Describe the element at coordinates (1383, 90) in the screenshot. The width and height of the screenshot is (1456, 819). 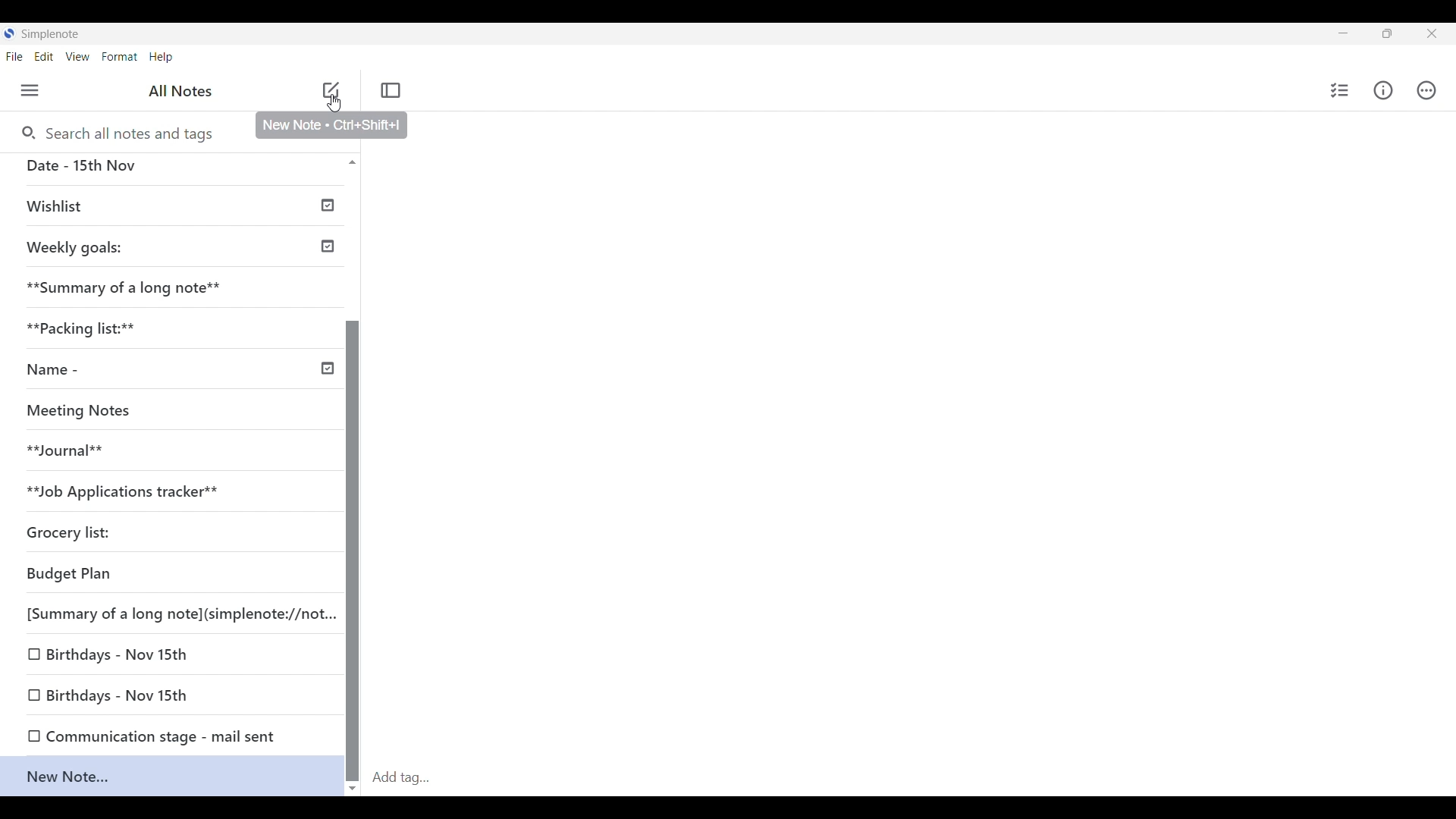
I see `Info` at that location.